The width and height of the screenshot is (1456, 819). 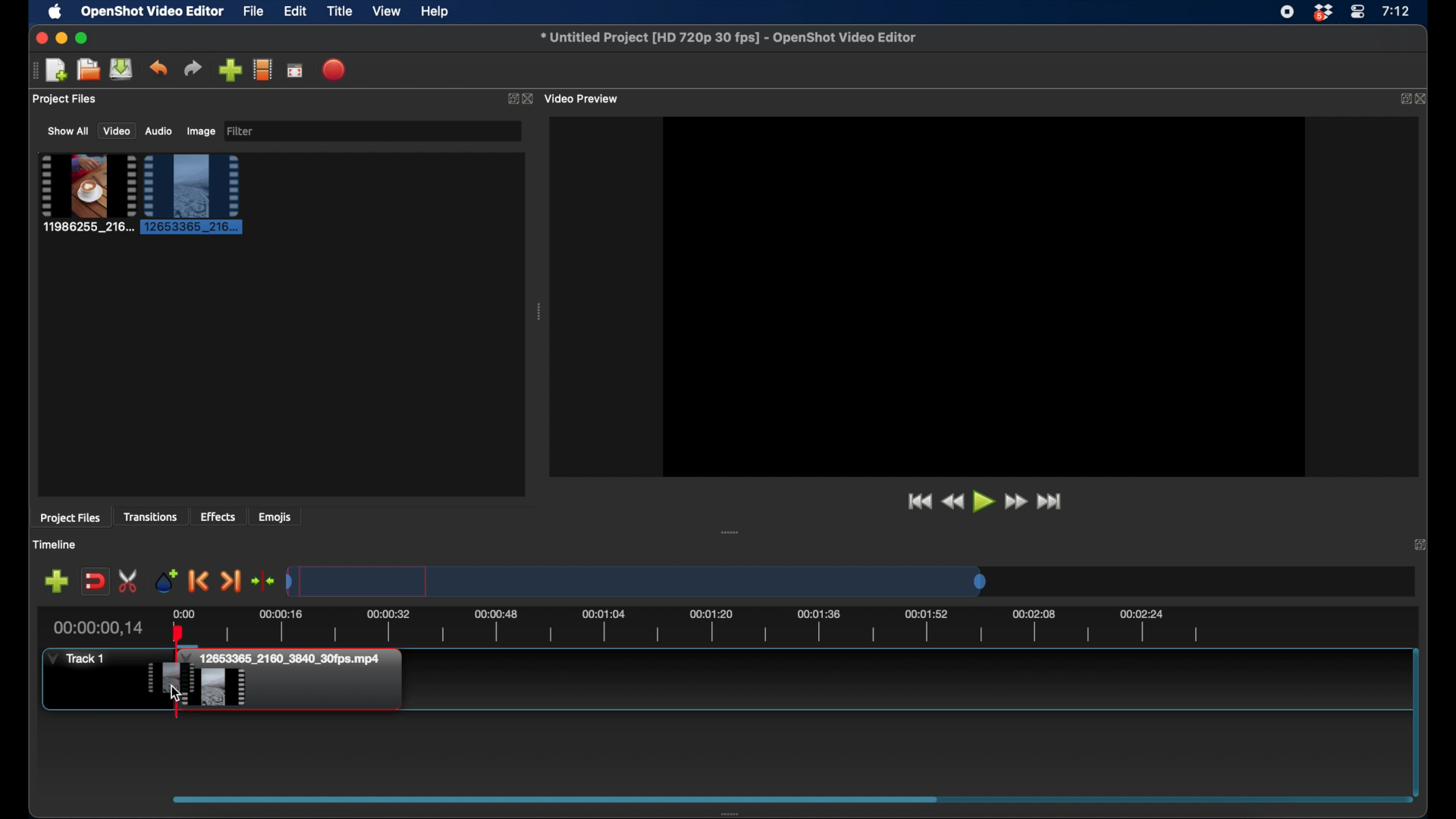 I want to click on fullscreen, so click(x=296, y=70).